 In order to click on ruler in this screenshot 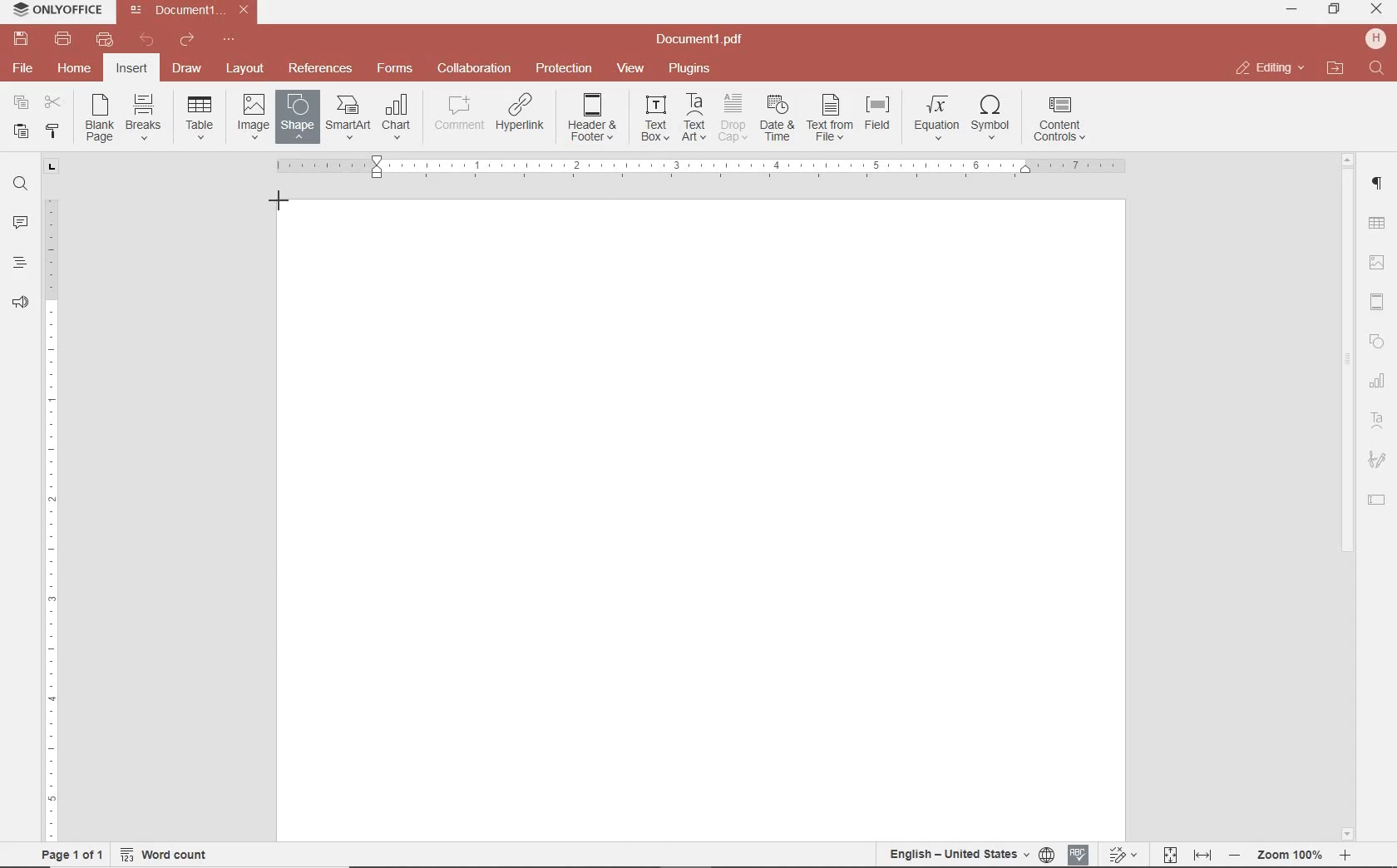, I will do `click(52, 508)`.